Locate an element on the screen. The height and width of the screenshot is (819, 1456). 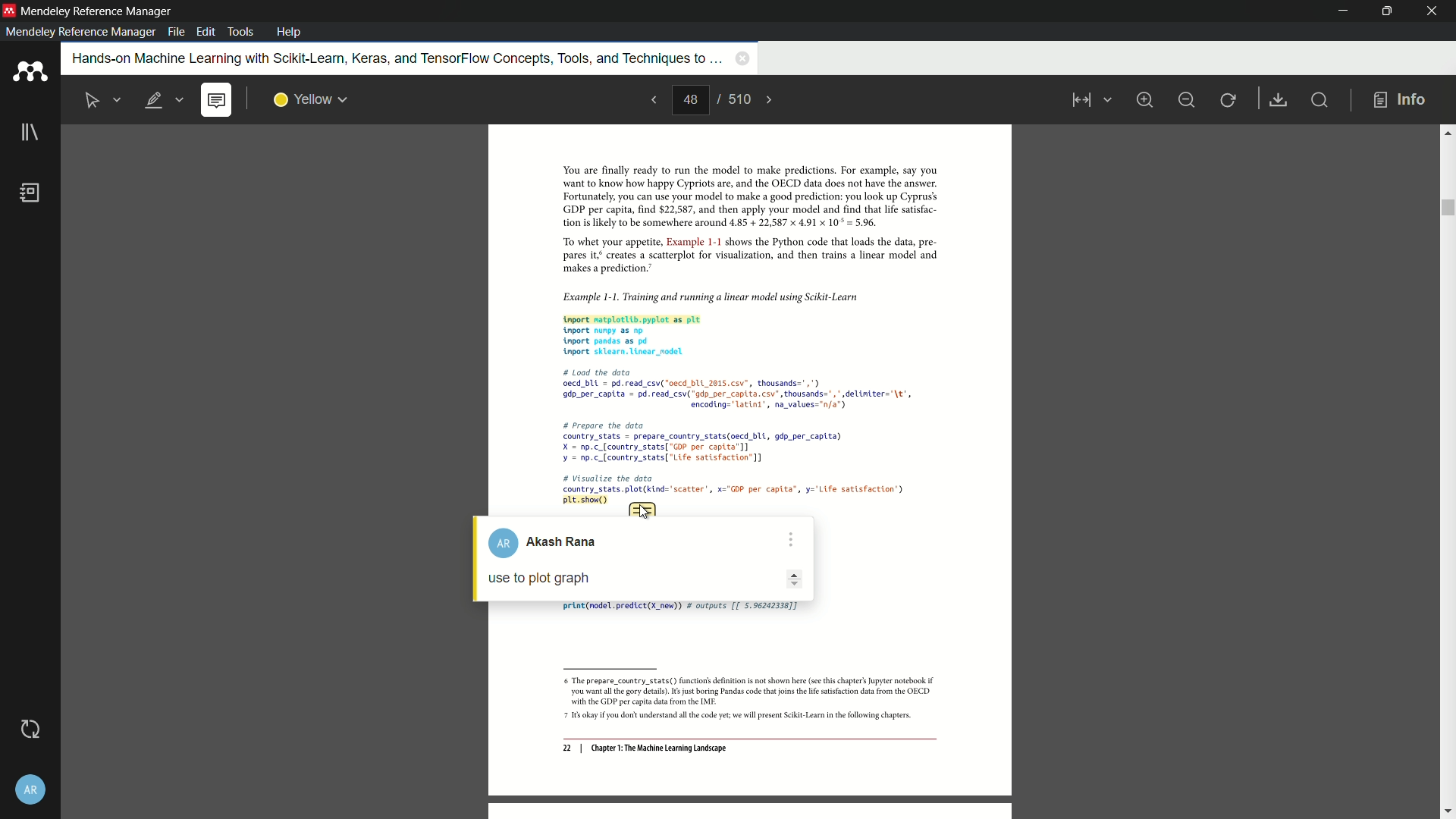
6 The prepare_country_stats() function's definition is not shown here (see this chapter's Jupyter notebook if
‘you want al th gory details). 6s just boring Pandas code that joins th ie satisfaction data from the OECD
‘with the GDP per capita dta from the IMF:

7 1s okay you dont understand all the code yet we will present Scikit-Lear inthe following chapters. is located at coordinates (743, 700).